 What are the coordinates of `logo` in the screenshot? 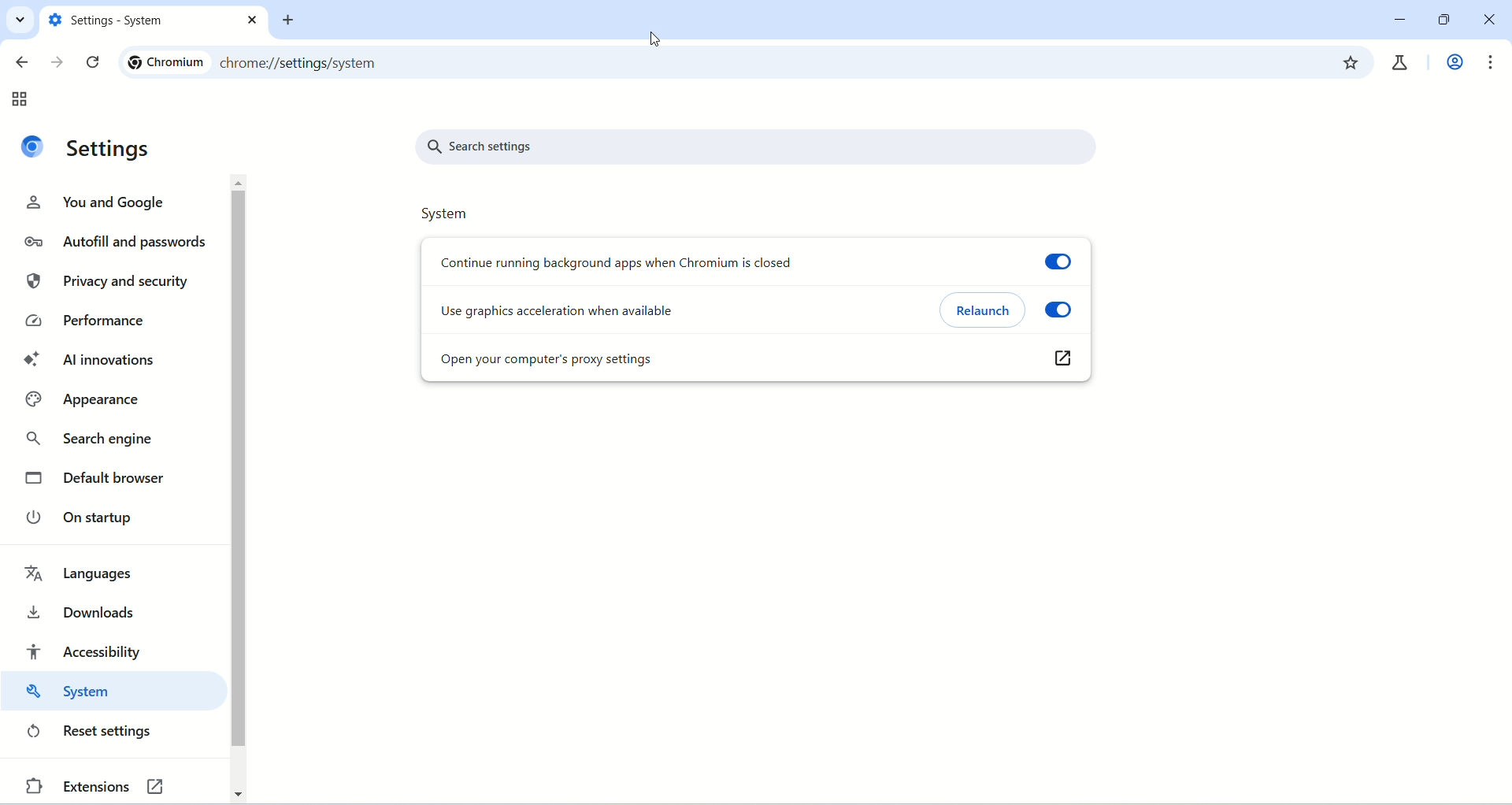 It's located at (35, 147).